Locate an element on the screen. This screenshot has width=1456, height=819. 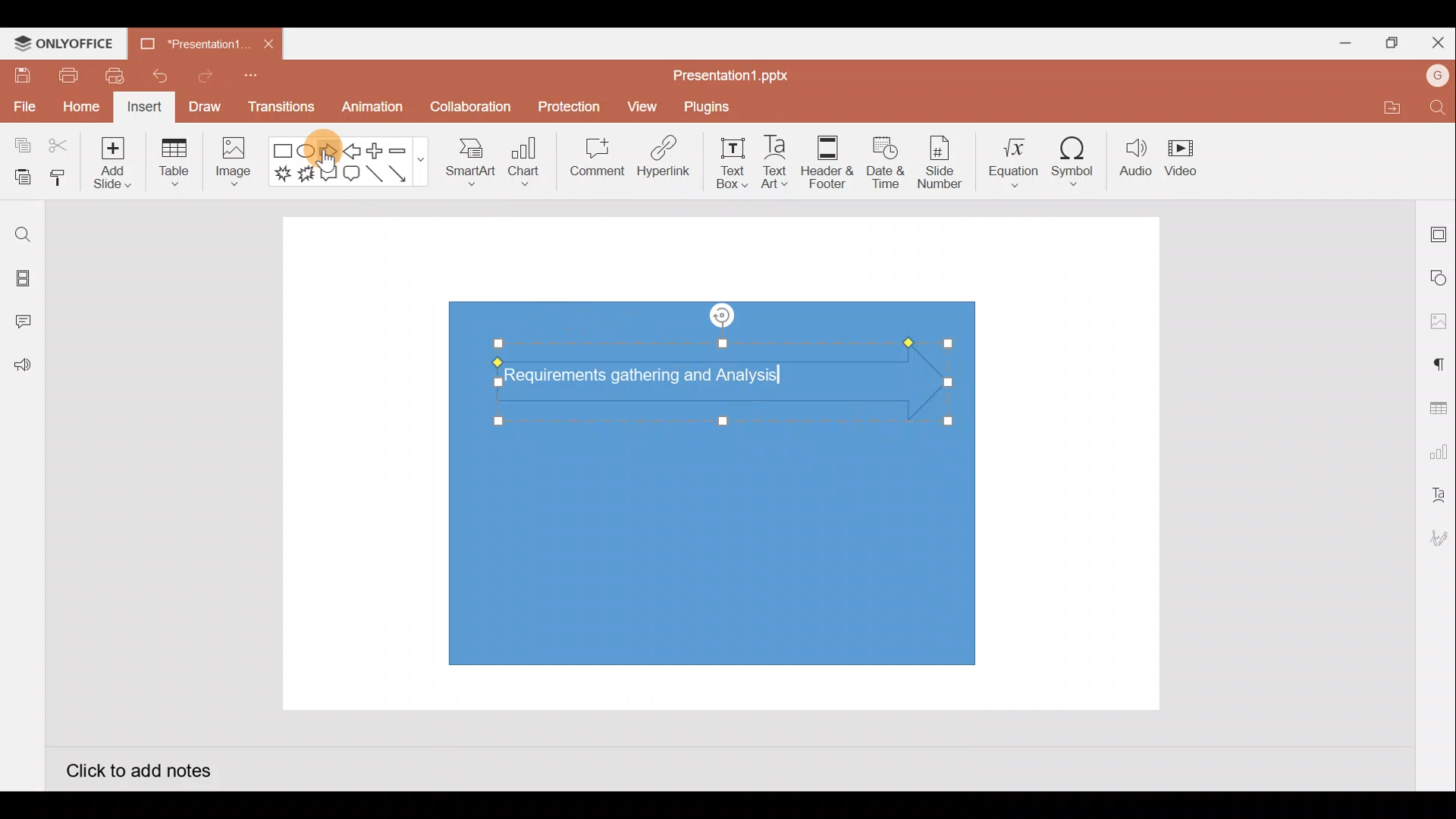
Text Art is located at coordinates (781, 158).